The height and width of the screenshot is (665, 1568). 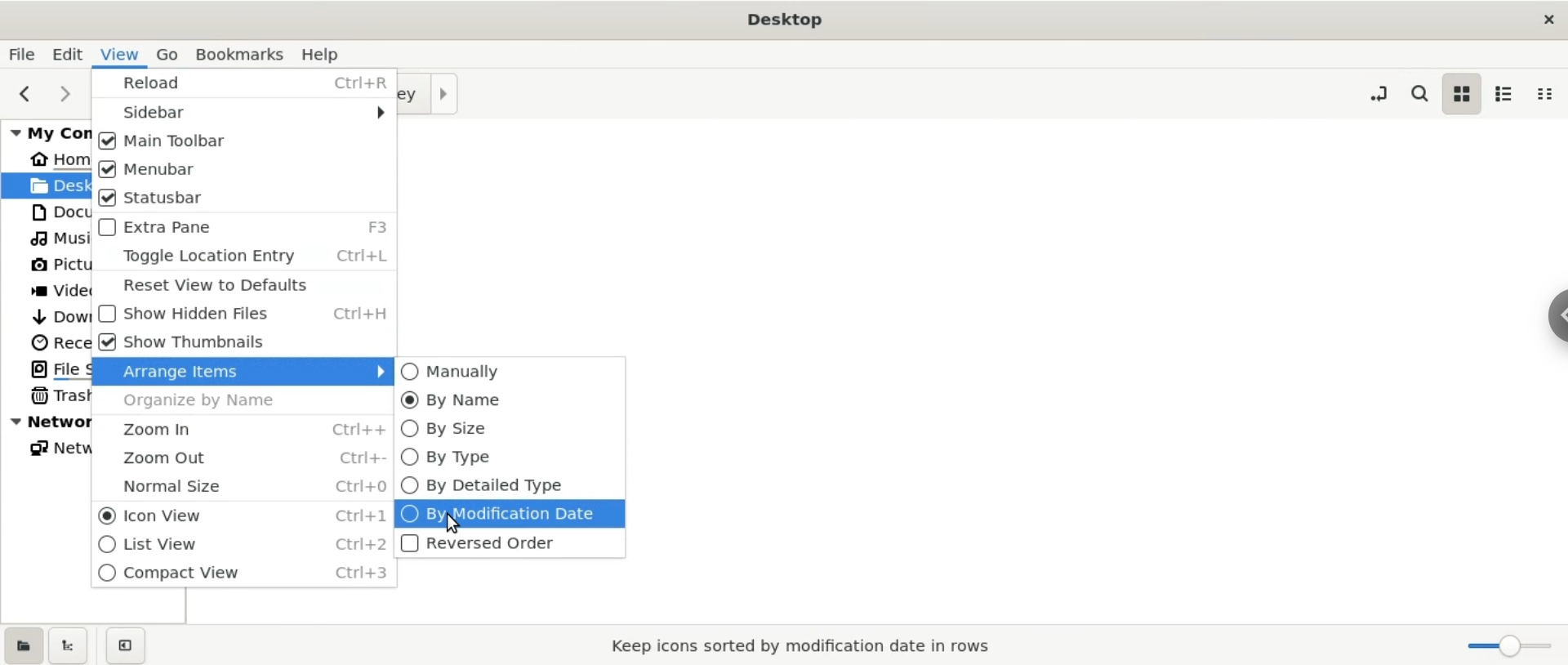 What do you see at coordinates (242, 517) in the screenshot?
I see `icon view` at bounding box center [242, 517].